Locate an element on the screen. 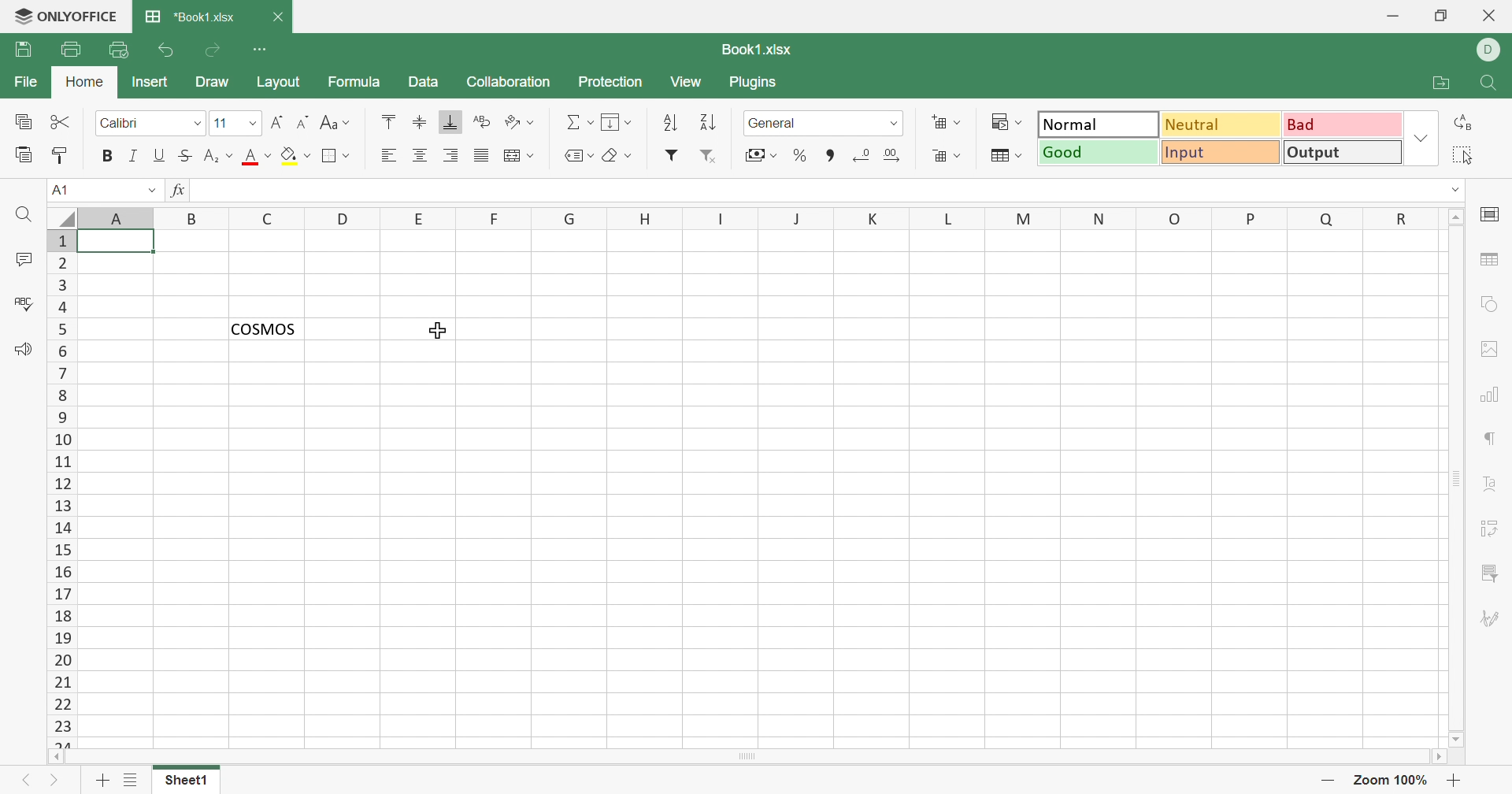 Image resolution: width=1512 pixels, height=794 pixels. Image settings is located at coordinates (1489, 350).